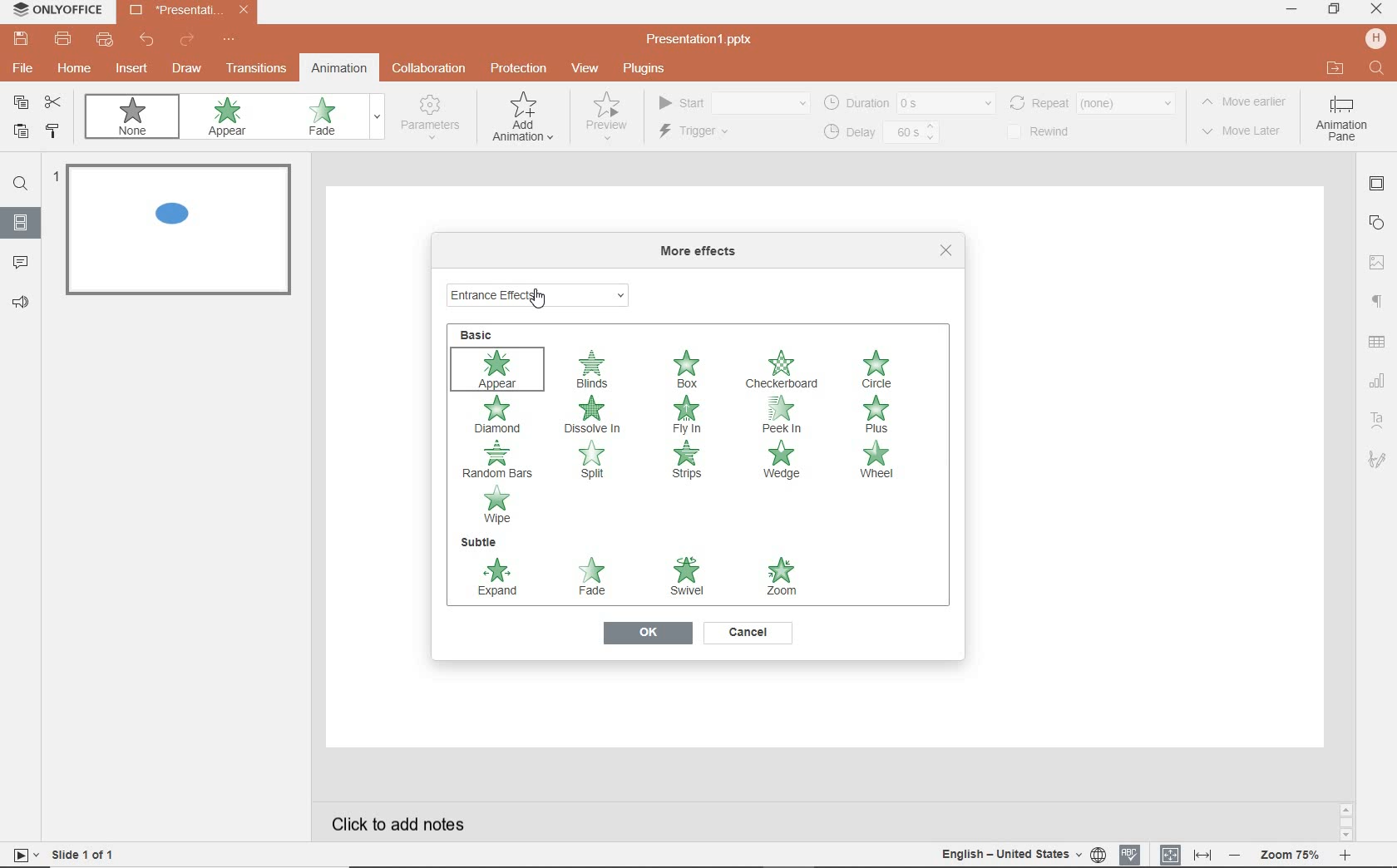  Describe the element at coordinates (1248, 104) in the screenshot. I see `move earlier` at that location.